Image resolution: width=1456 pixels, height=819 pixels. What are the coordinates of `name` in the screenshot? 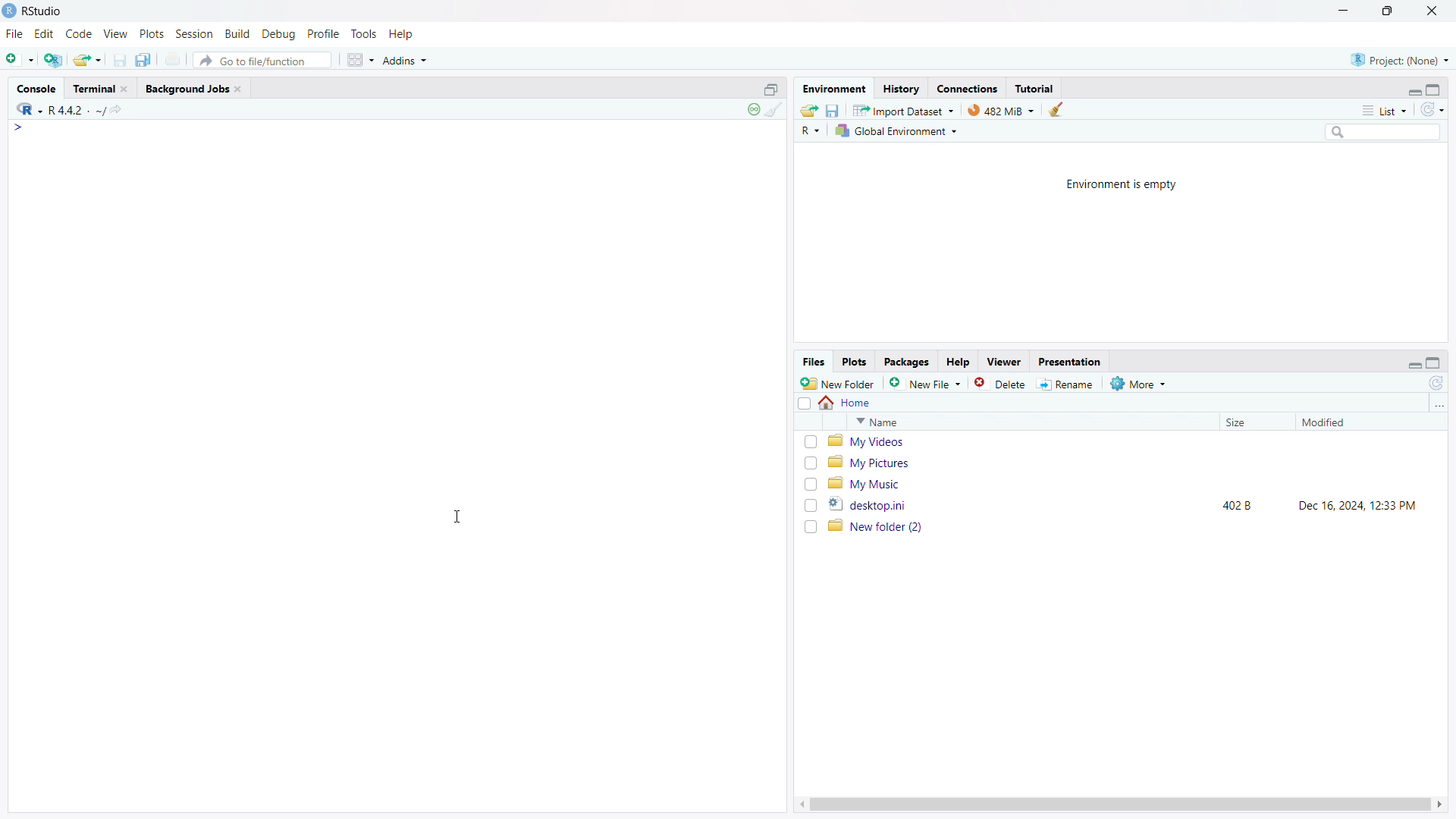 It's located at (1030, 422).